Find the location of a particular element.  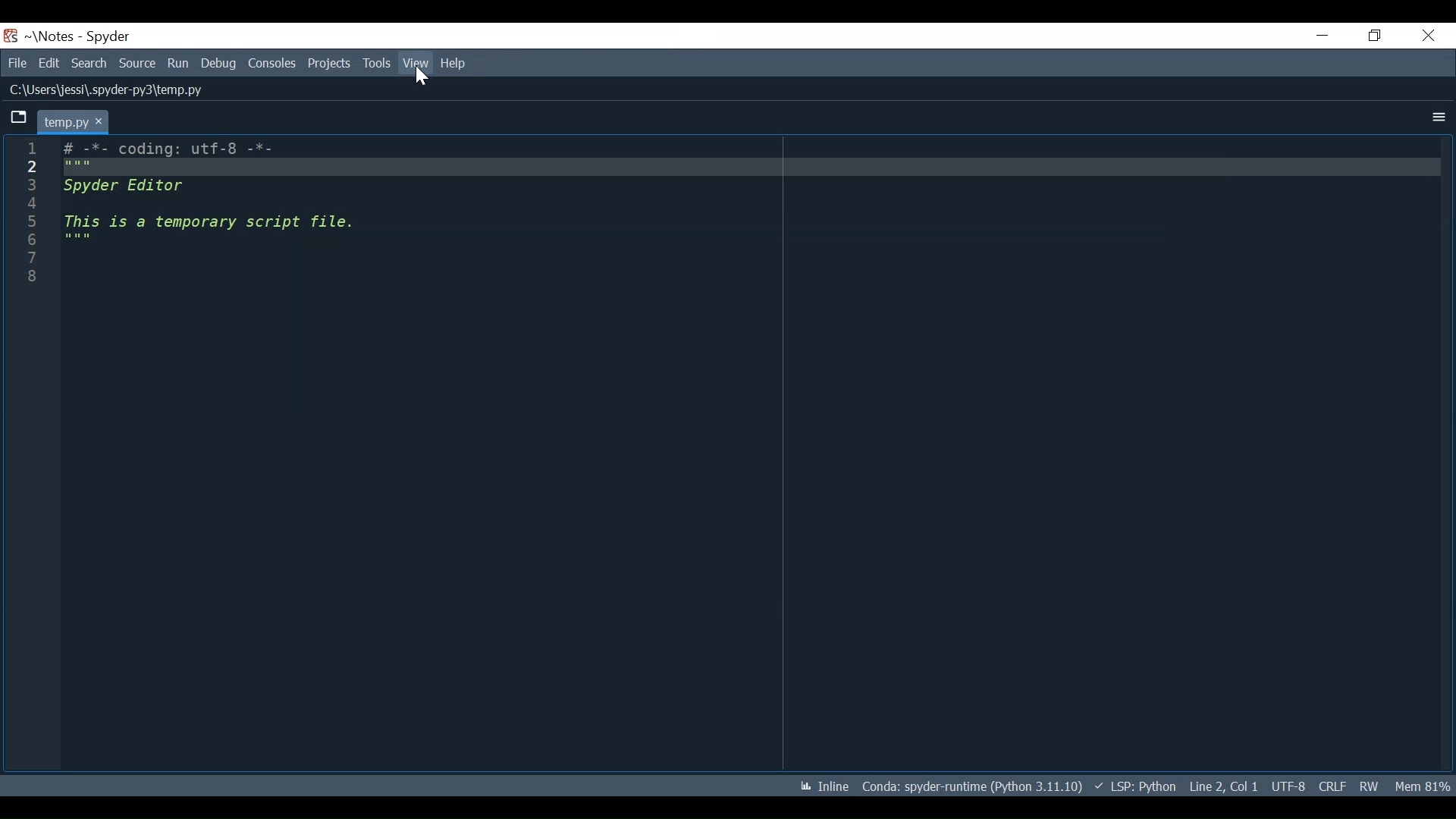

temp.py is located at coordinates (72, 121).